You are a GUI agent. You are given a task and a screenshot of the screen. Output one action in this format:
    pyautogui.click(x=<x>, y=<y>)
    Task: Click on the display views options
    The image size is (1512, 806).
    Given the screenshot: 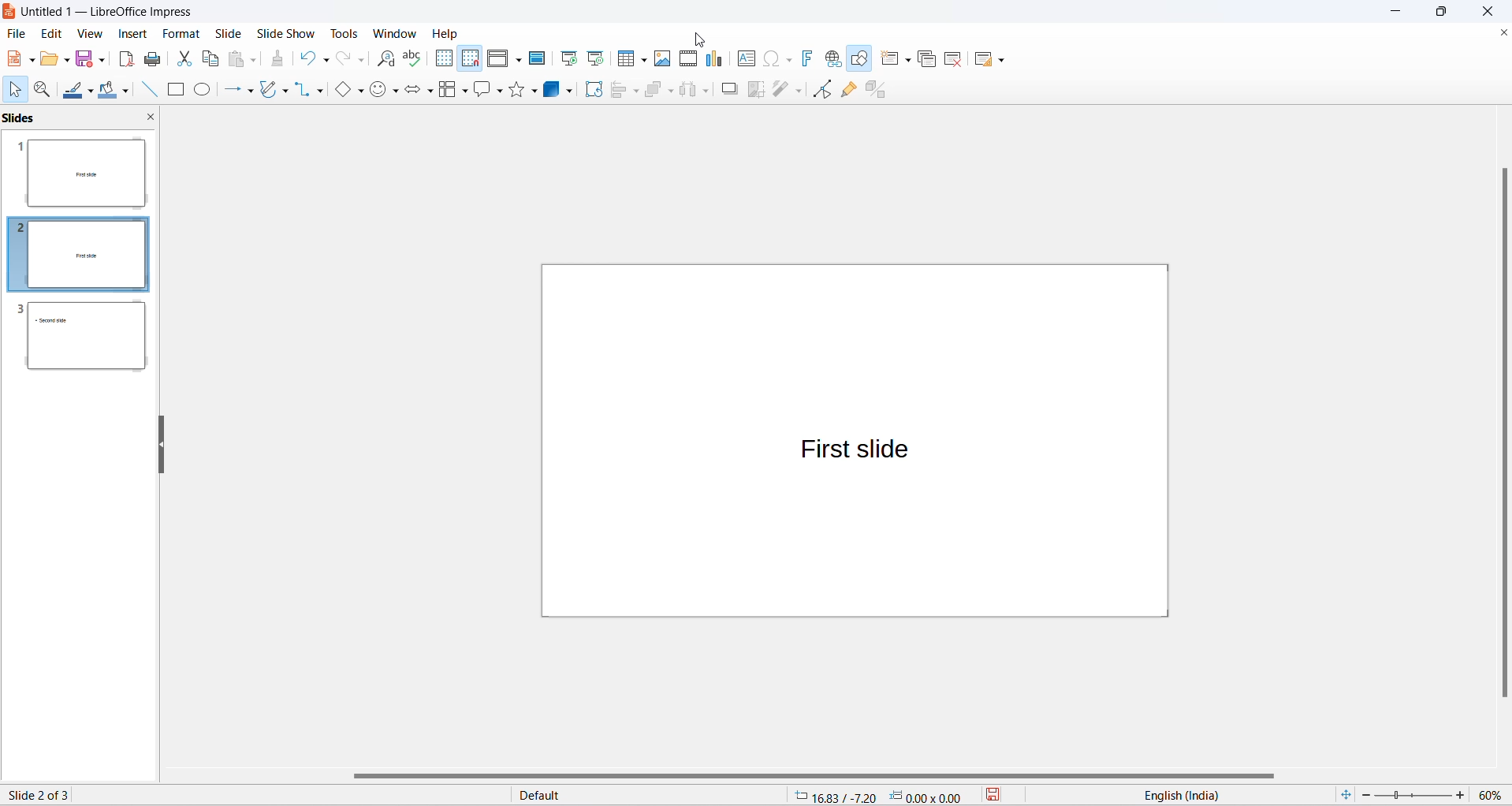 What is the action you would take?
    pyautogui.click(x=520, y=60)
    